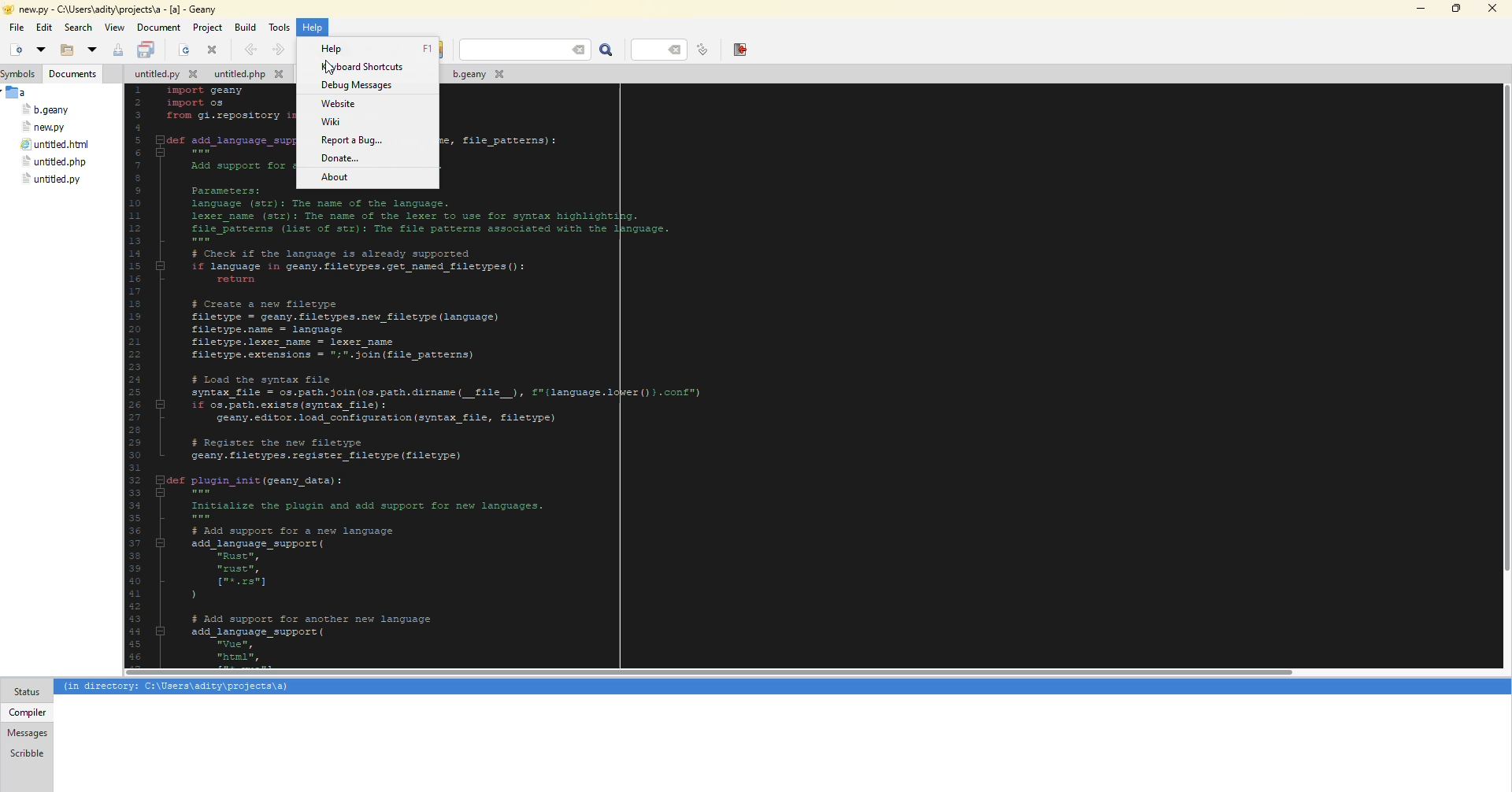 The width and height of the screenshot is (1512, 792). Describe the element at coordinates (427, 49) in the screenshot. I see `f1` at that location.